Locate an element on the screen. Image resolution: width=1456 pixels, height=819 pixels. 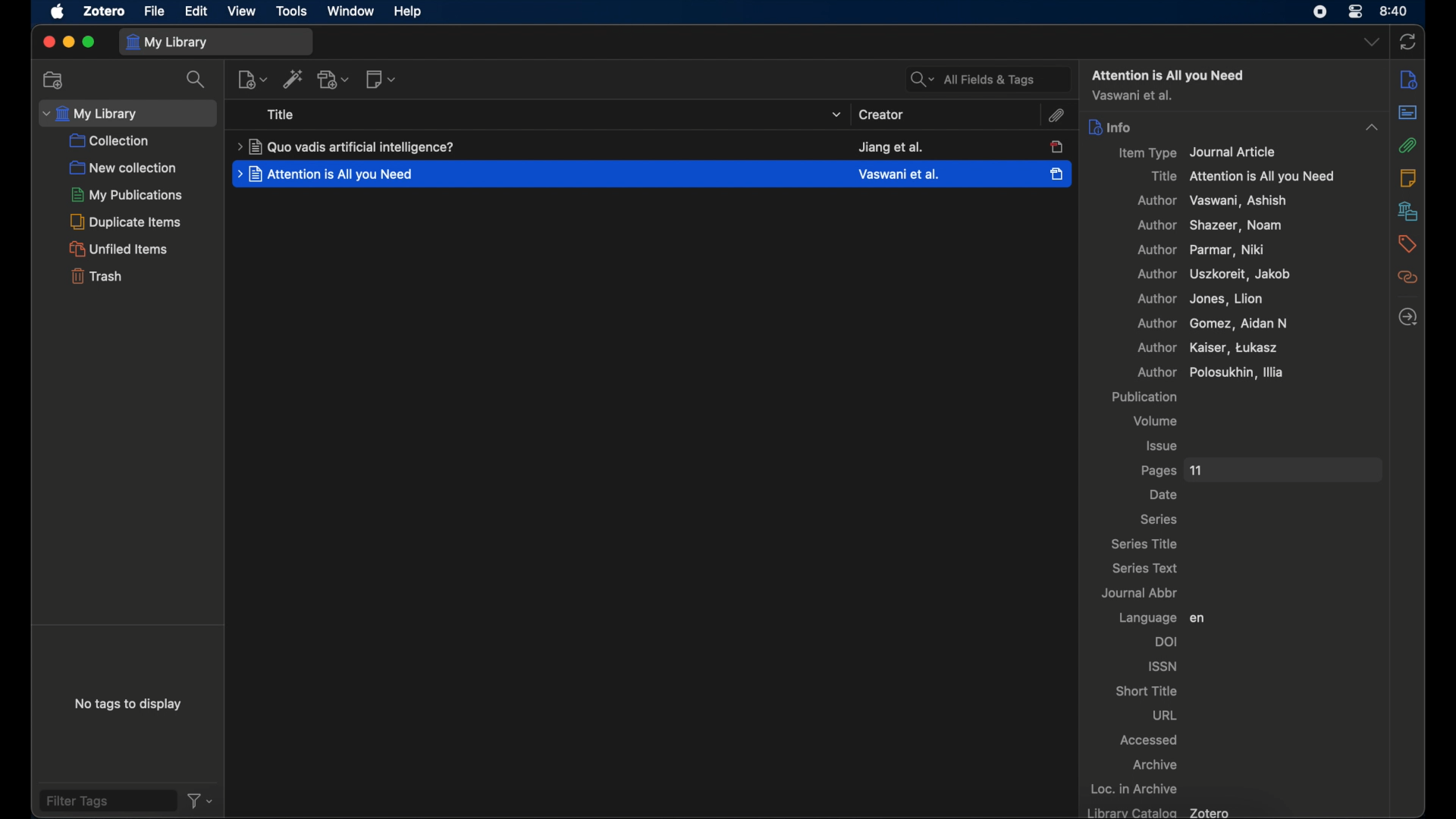
add attachment is located at coordinates (333, 80).